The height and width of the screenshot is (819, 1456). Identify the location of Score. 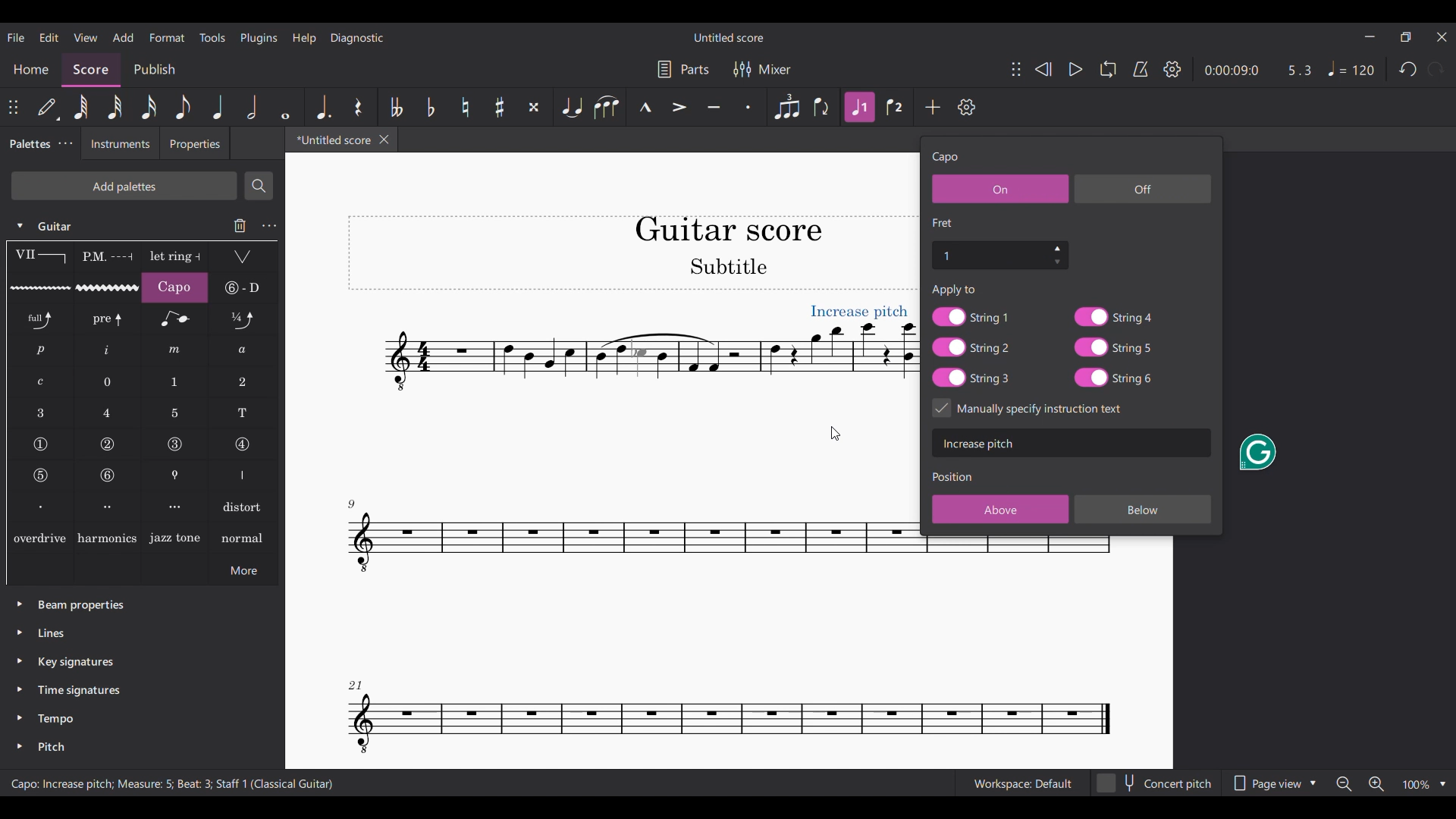
(92, 70).